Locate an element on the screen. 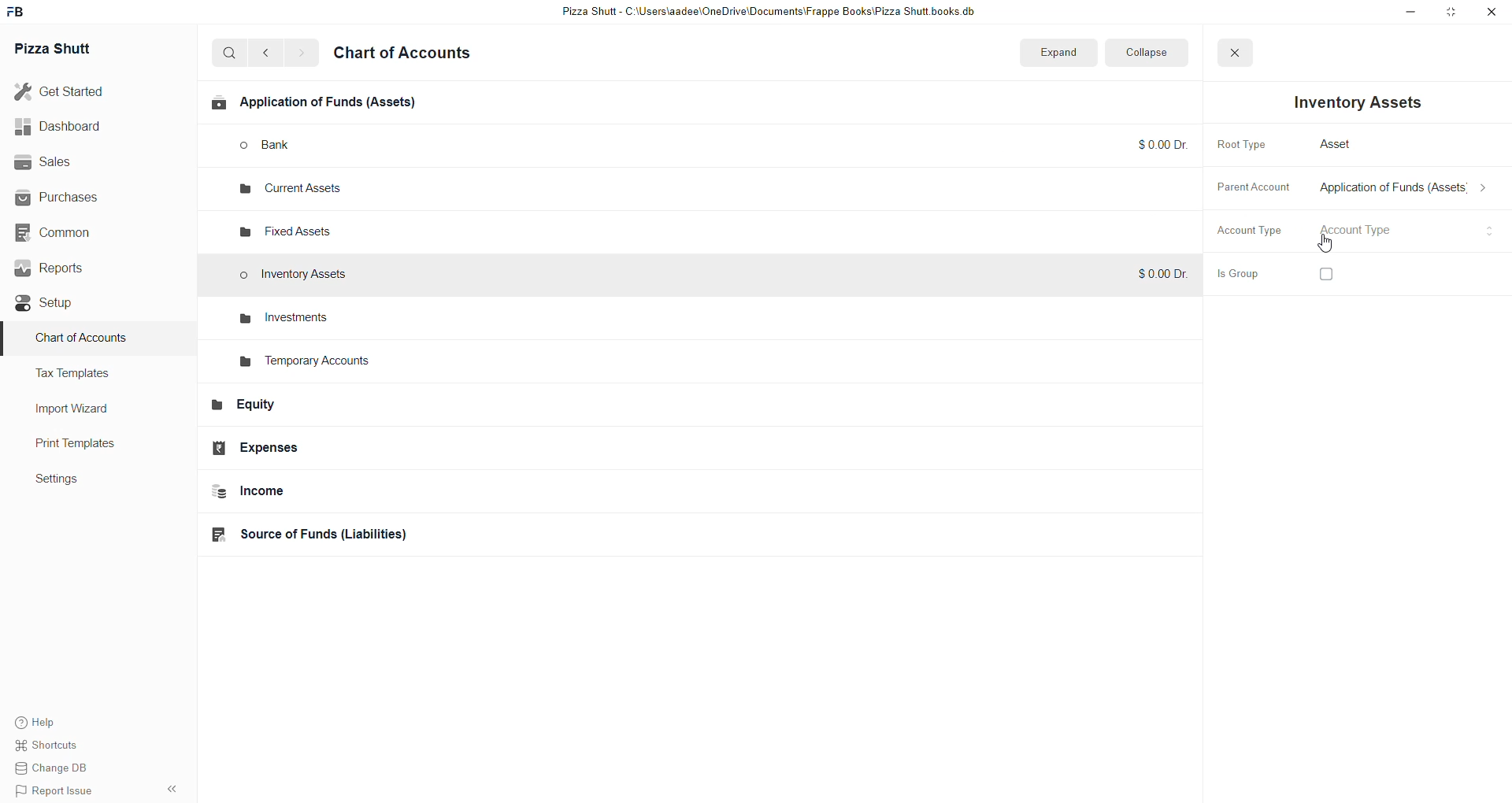 The width and height of the screenshot is (1512, 803). Setup  is located at coordinates (63, 305).